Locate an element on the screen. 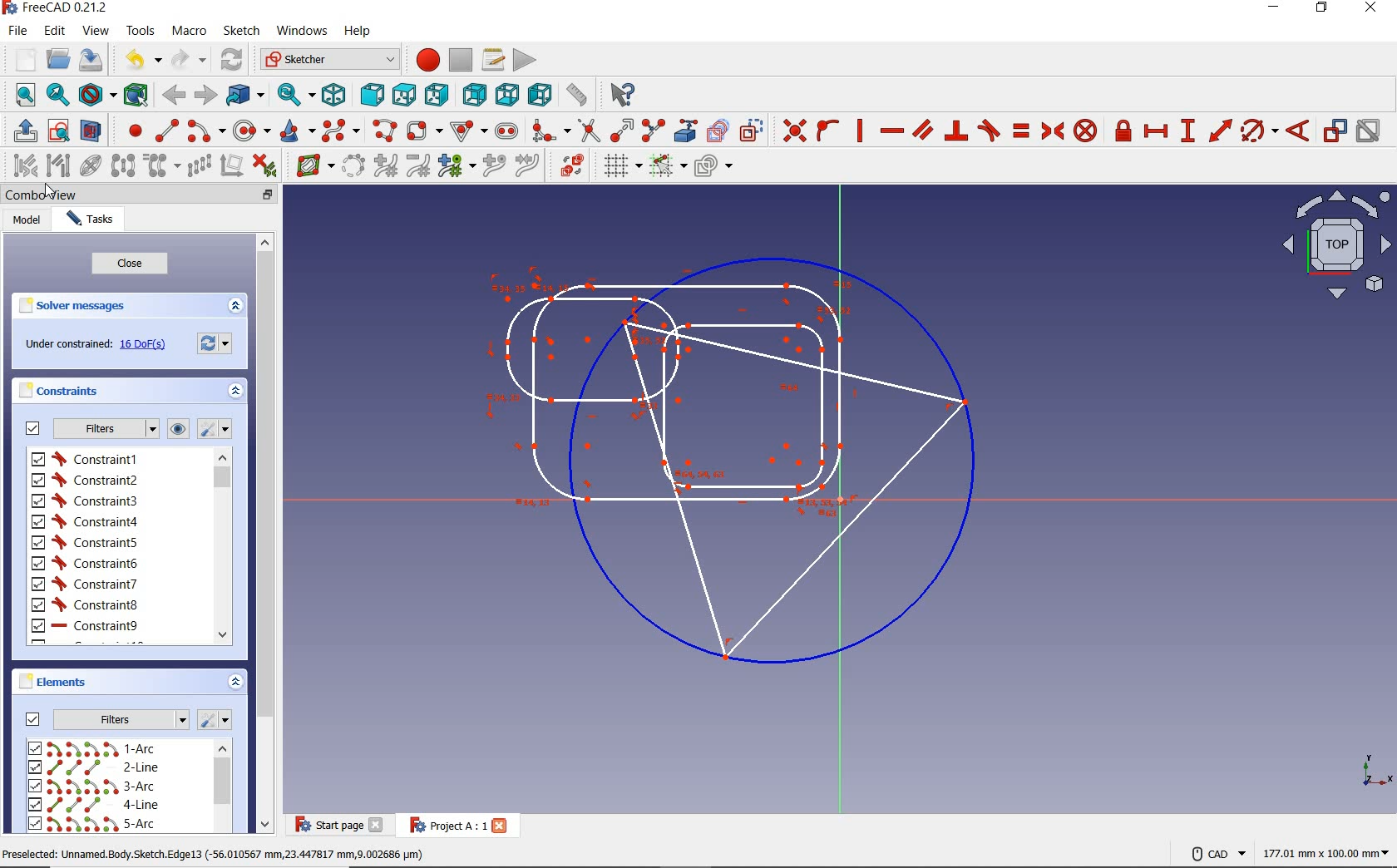  new  is located at coordinates (20, 60).